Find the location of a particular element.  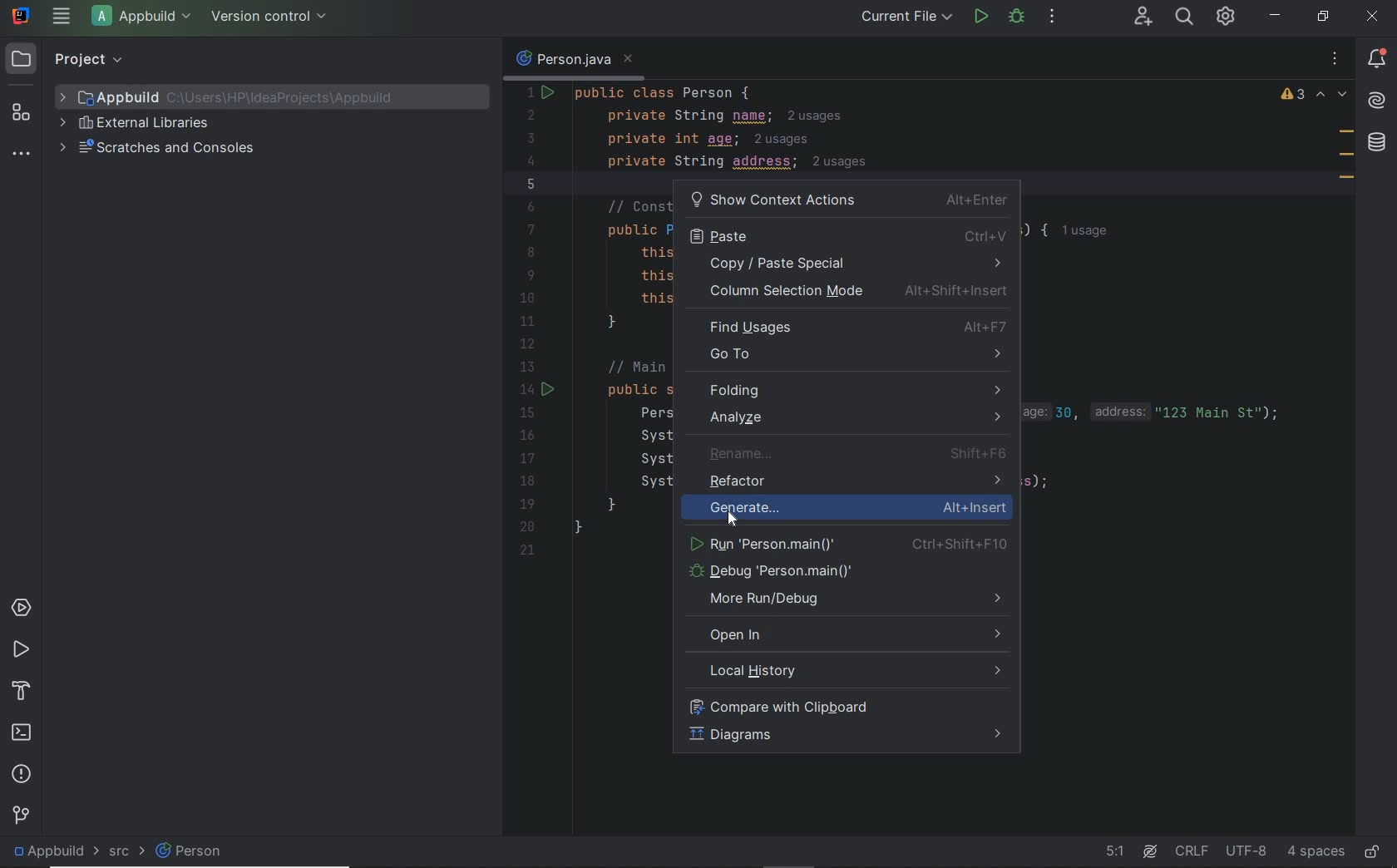

Debug is located at coordinates (845, 571).